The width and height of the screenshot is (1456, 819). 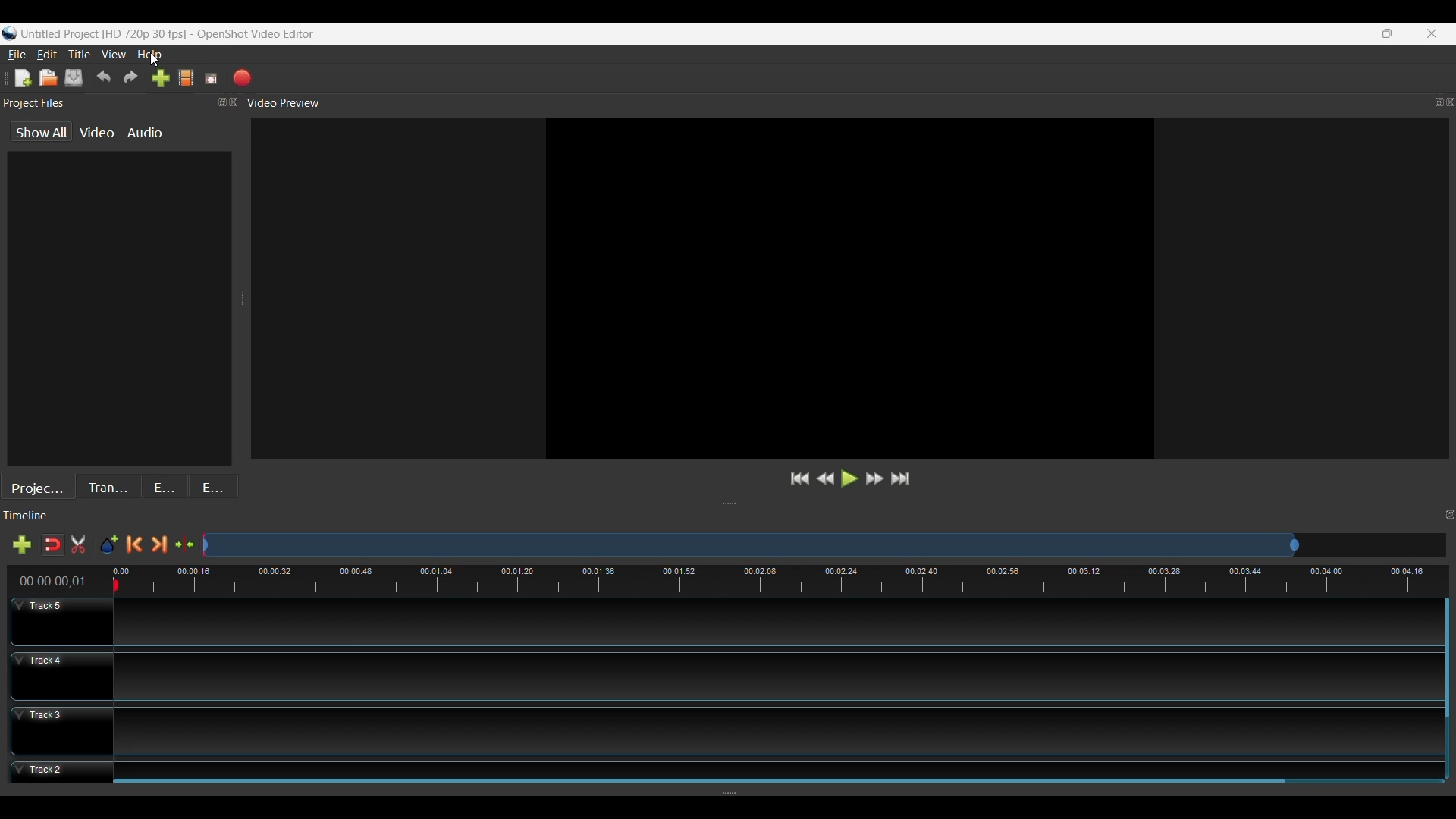 I want to click on Restore, so click(x=1386, y=34).